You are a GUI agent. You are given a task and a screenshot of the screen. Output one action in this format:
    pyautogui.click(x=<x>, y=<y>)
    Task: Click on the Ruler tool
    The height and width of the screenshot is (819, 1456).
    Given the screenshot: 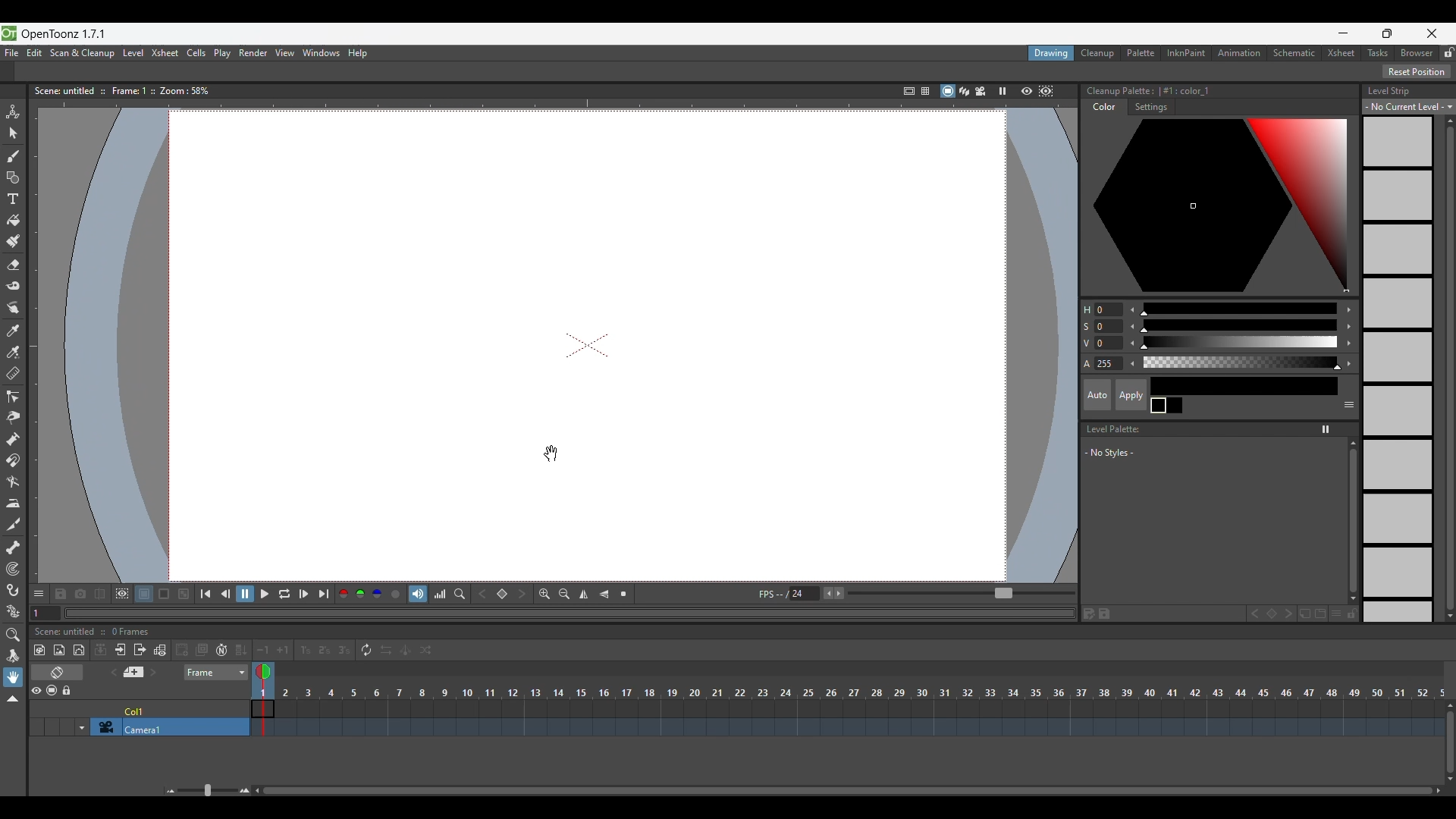 What is the action you would take?
    pyautogui.click(x=13, y=372)
    